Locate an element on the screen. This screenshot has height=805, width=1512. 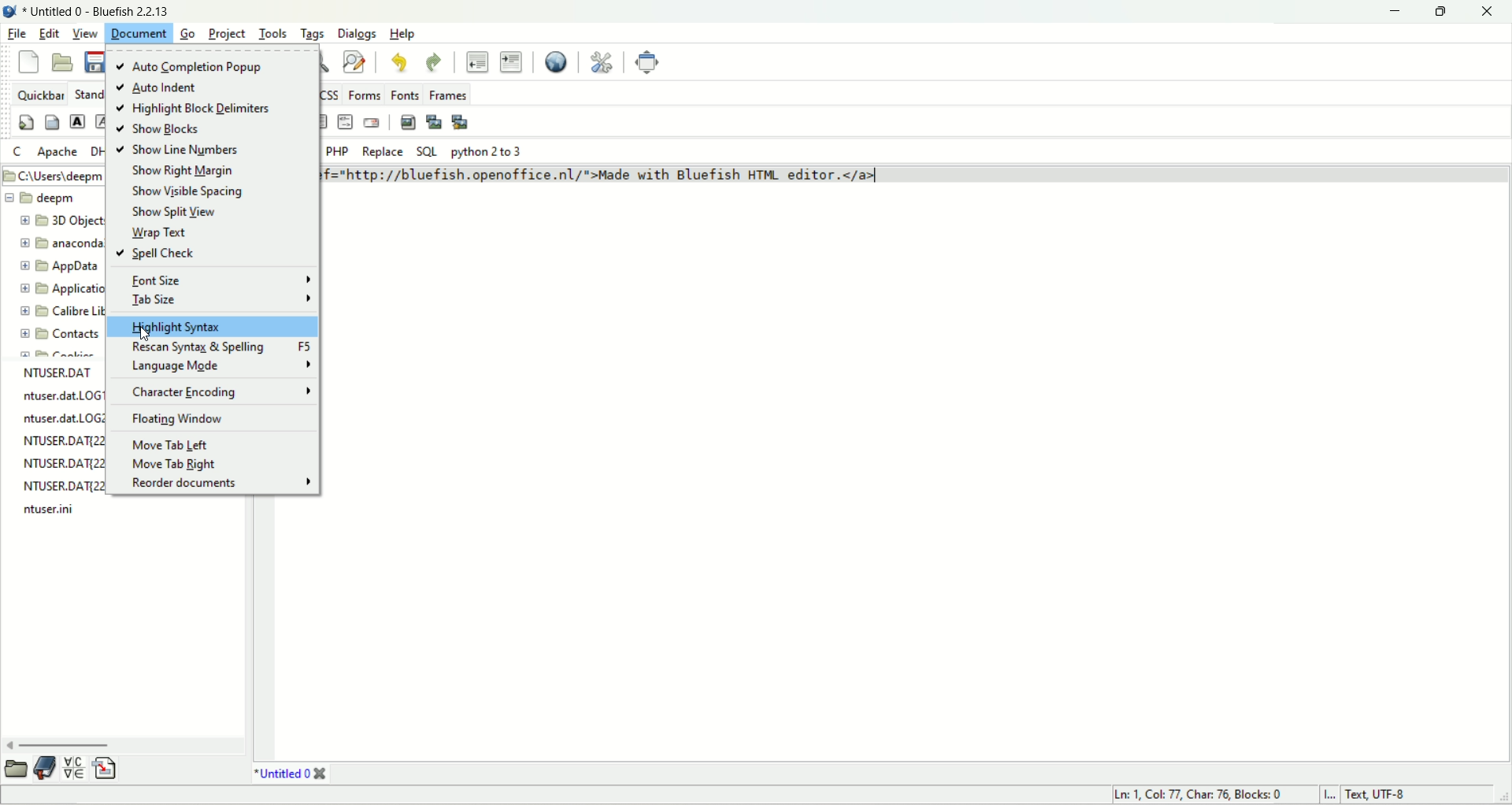
close is located at coordinates (1487, 12).